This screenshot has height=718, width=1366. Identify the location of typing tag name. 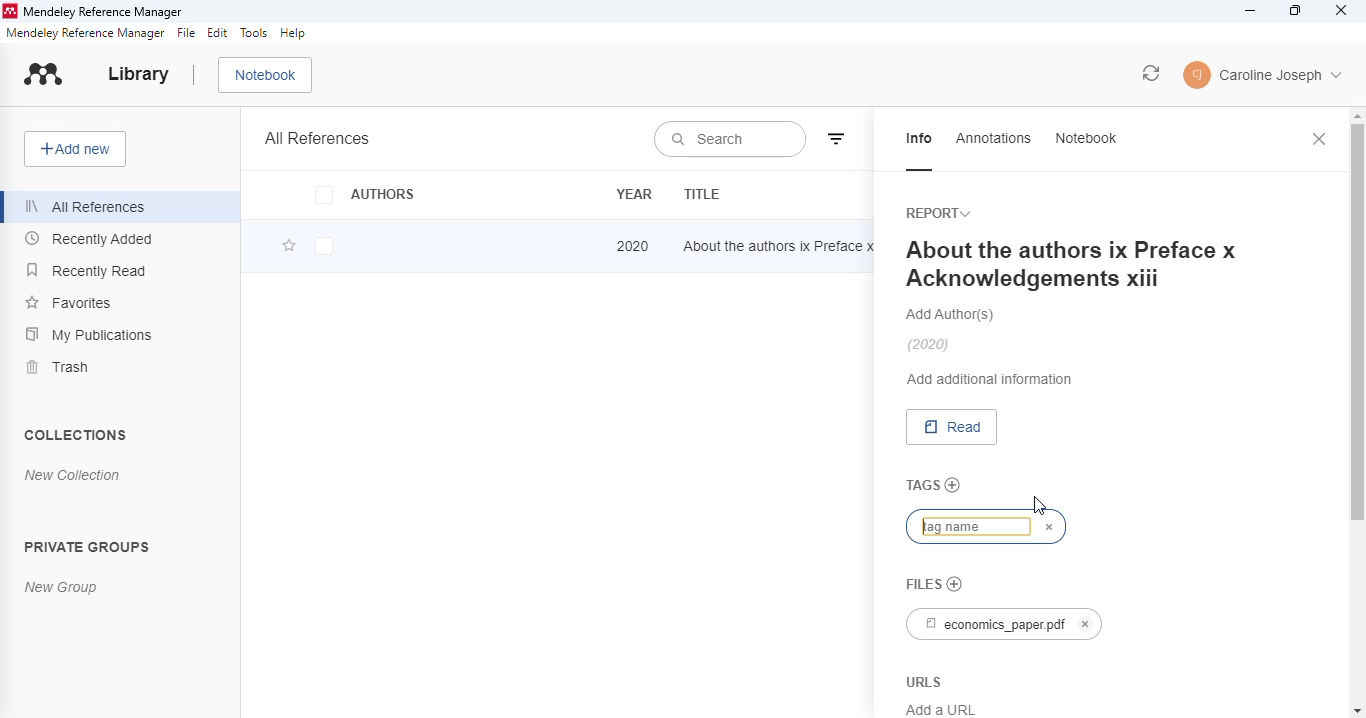
(971, 523).